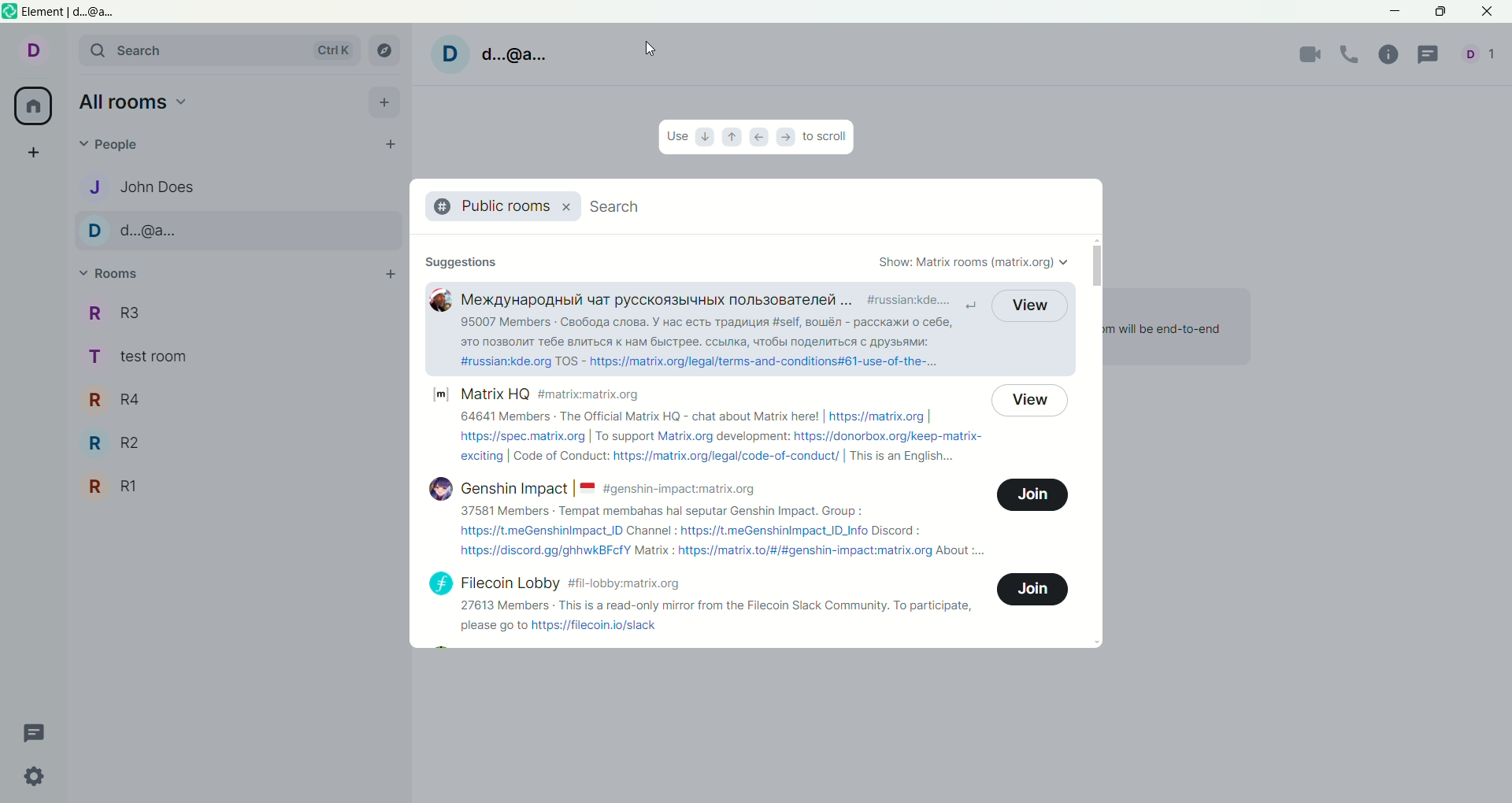 Image resolution: width=1512 pixels, height=803 pixels. Describe the element at coordinates (550, 394) in the screenshot. I see `Matrix HQ #matrix:matrix.org` at that location.